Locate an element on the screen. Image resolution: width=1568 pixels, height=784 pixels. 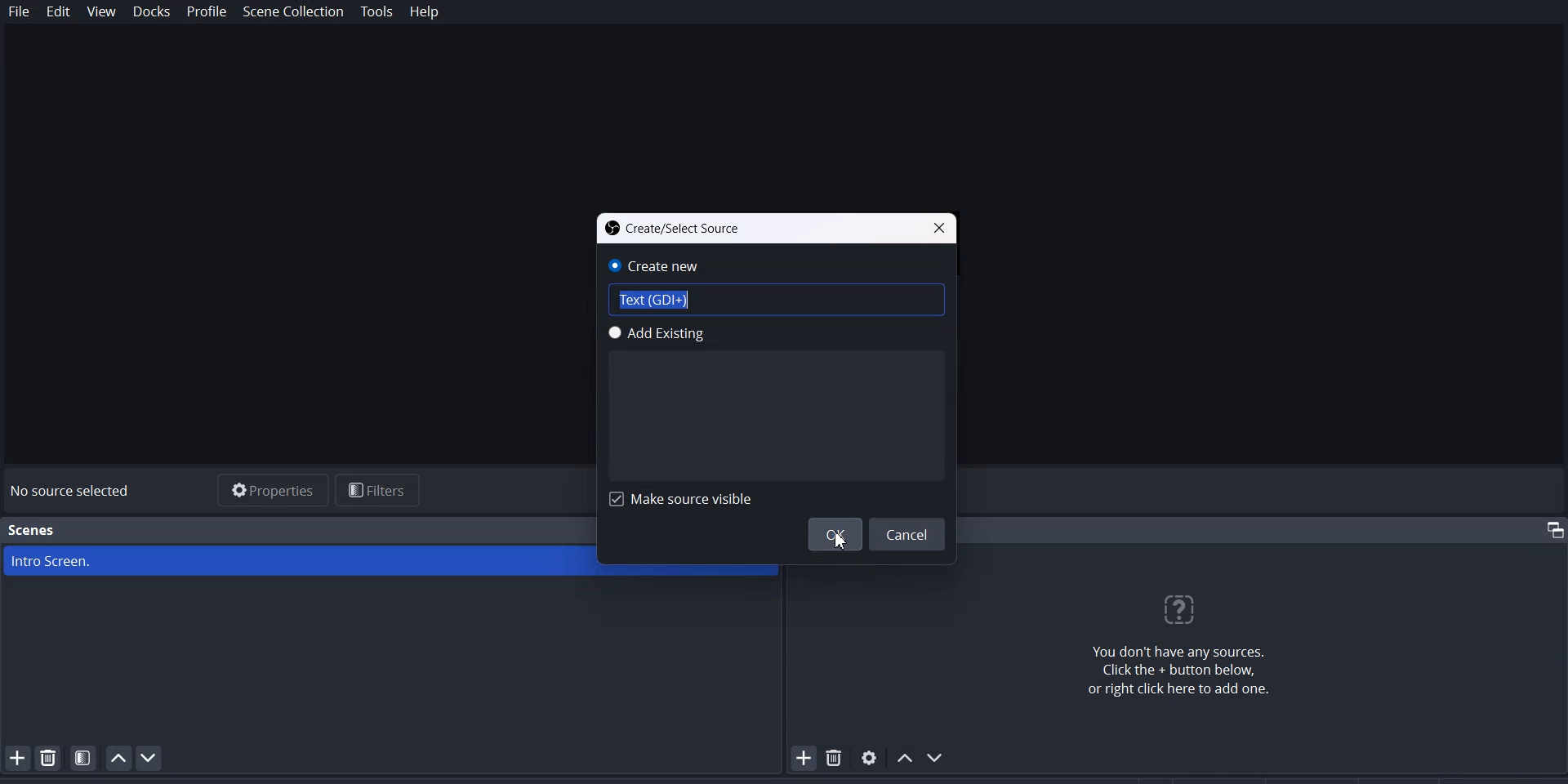
Move Source Down is located at coordinates (937, 756).